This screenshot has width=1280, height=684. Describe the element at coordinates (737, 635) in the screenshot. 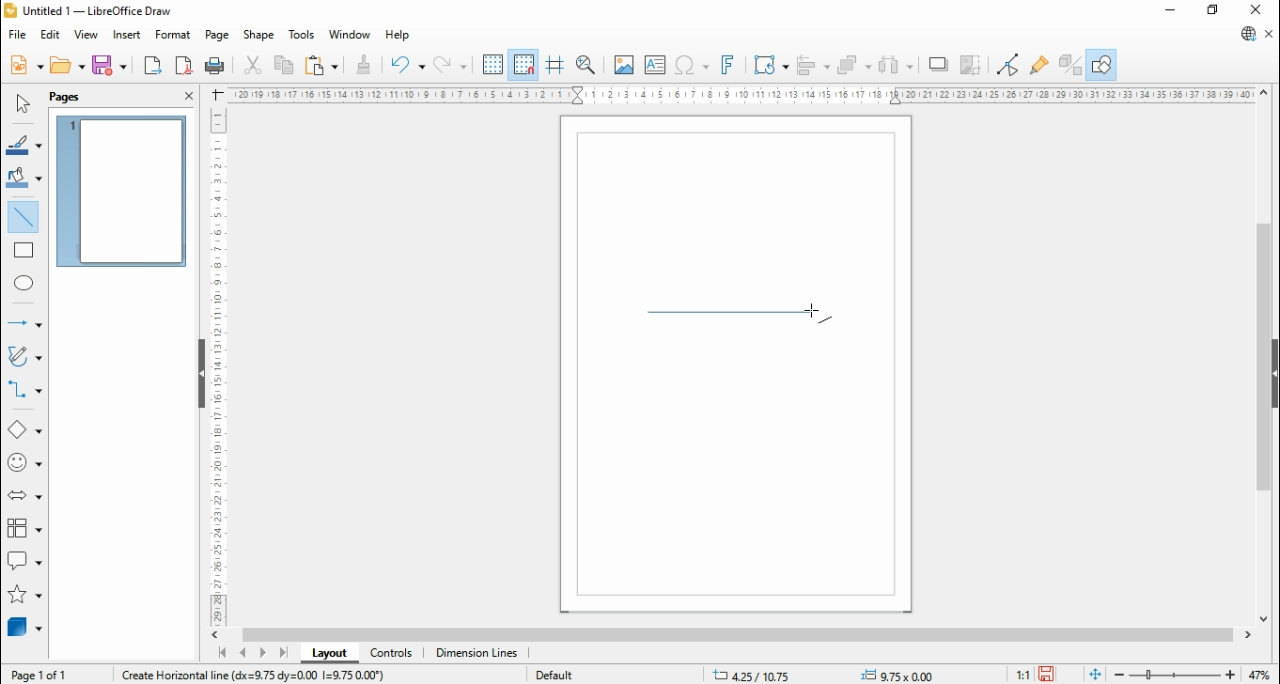

I see `scroll bar` at that location.